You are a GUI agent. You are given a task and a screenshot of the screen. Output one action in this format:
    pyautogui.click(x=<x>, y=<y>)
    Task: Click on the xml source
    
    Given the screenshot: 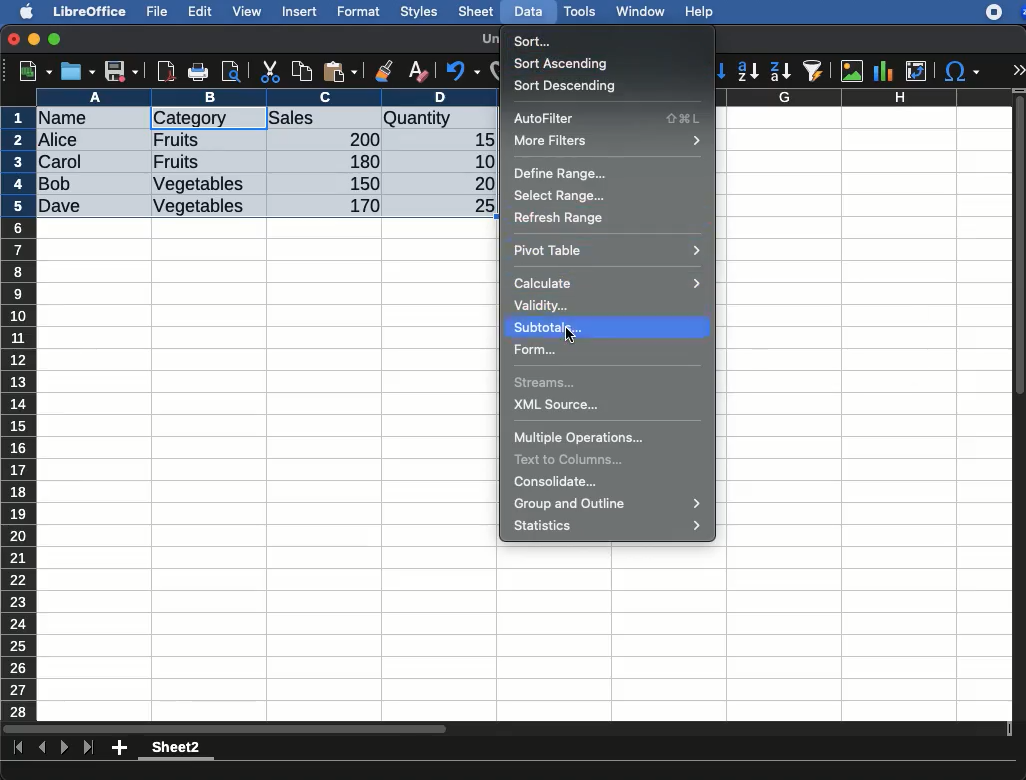 What is the action you would take?
    pyautogui.click(x=559, y=407)
    